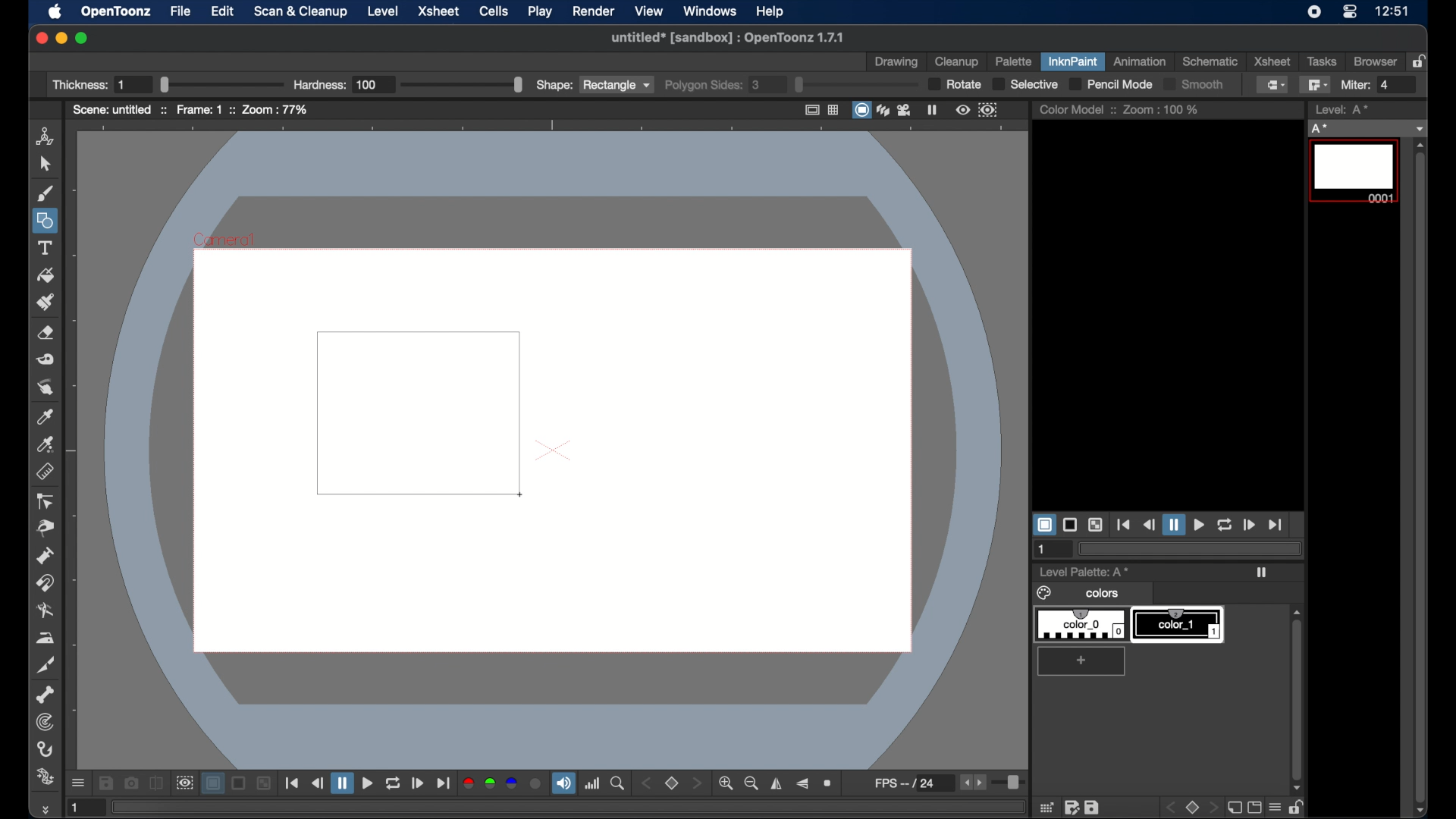  What do you see at coordinates (44, 809) in the screenshot?
I see `more` at bounding box center [44, 809].